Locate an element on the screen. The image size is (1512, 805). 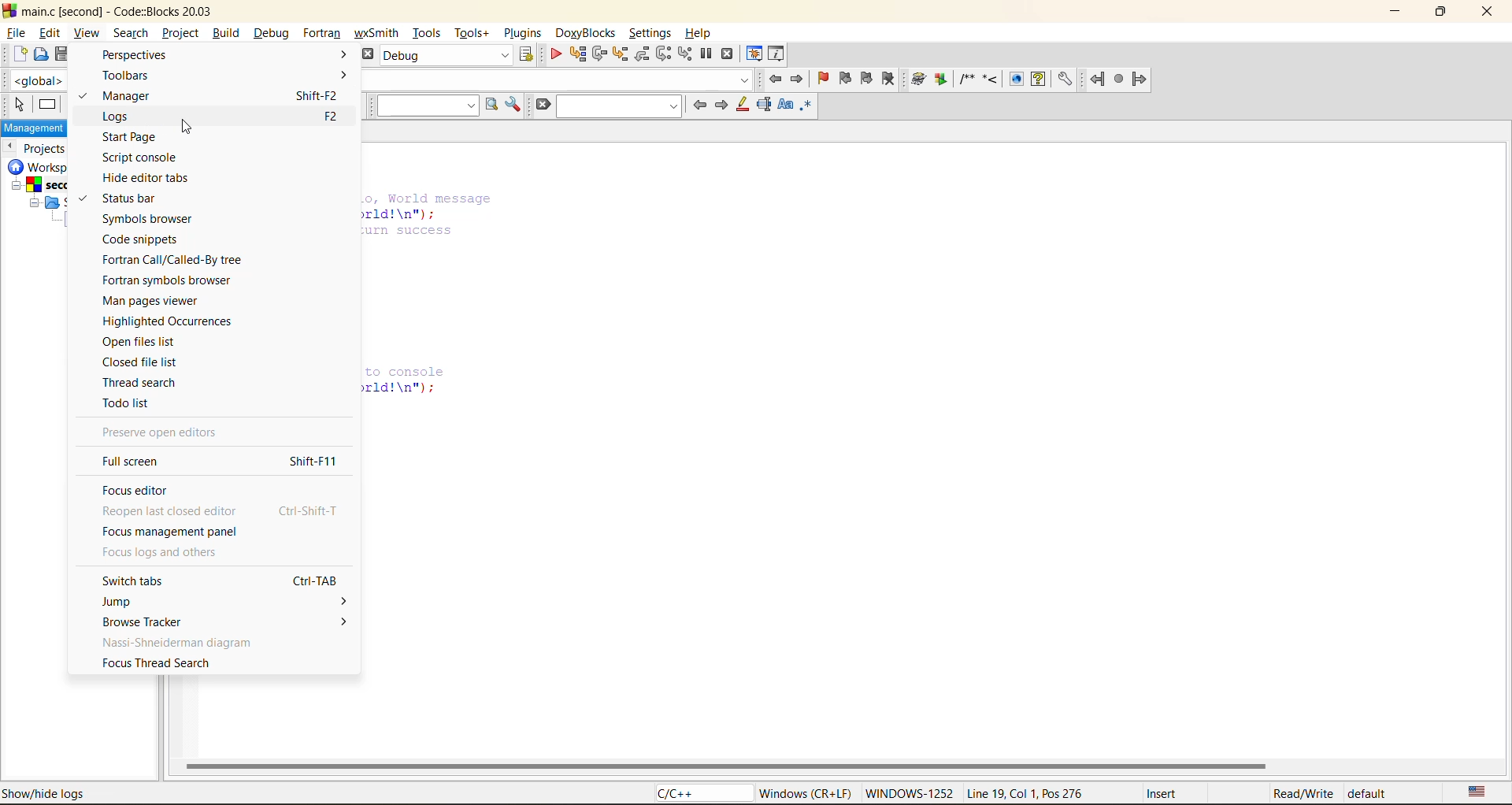
> is located at coordinates (318, 600).